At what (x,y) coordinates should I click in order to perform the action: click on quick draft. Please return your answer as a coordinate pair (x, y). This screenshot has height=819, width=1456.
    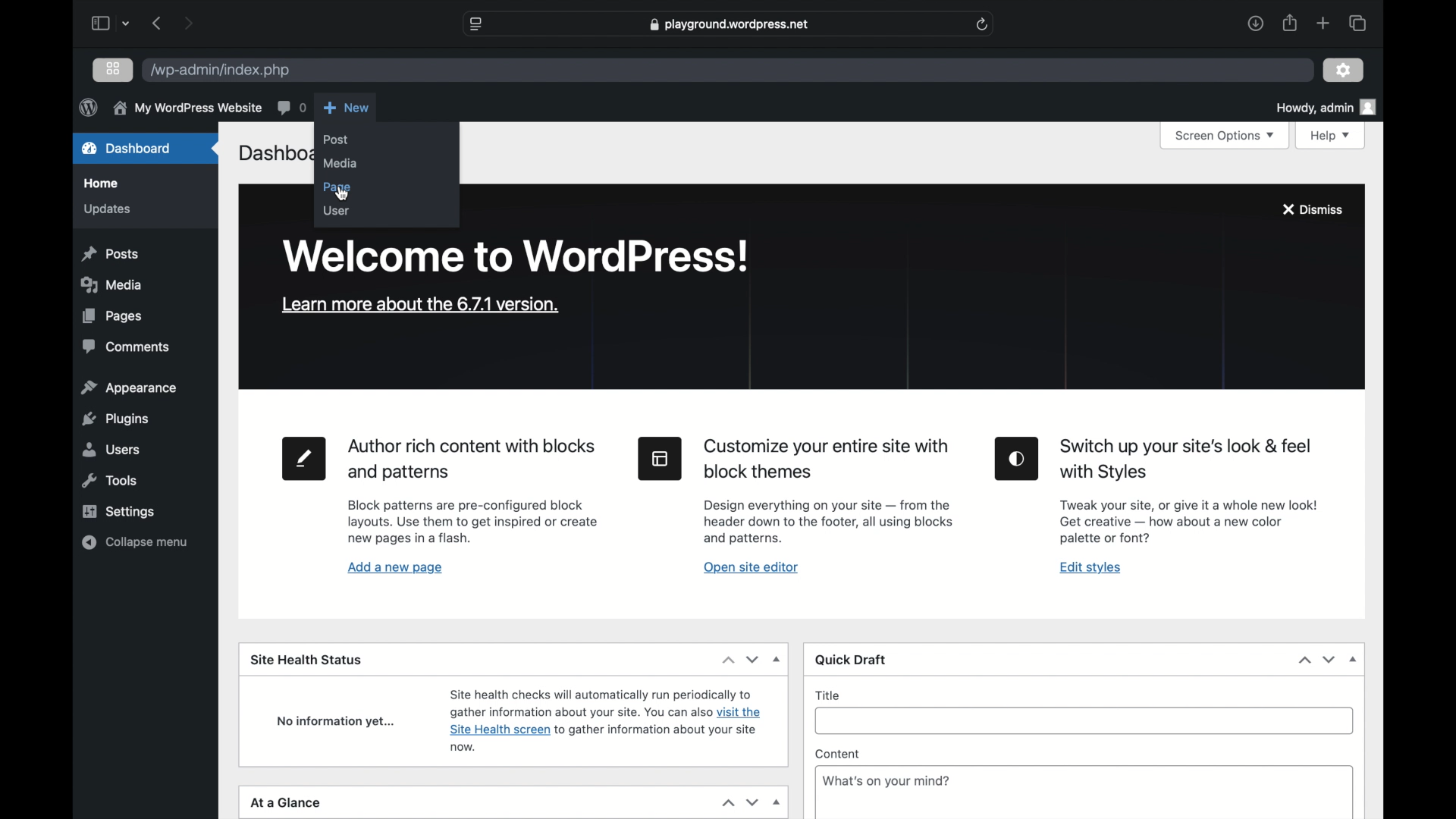
    Looking at the image, I should click on (851, 661).